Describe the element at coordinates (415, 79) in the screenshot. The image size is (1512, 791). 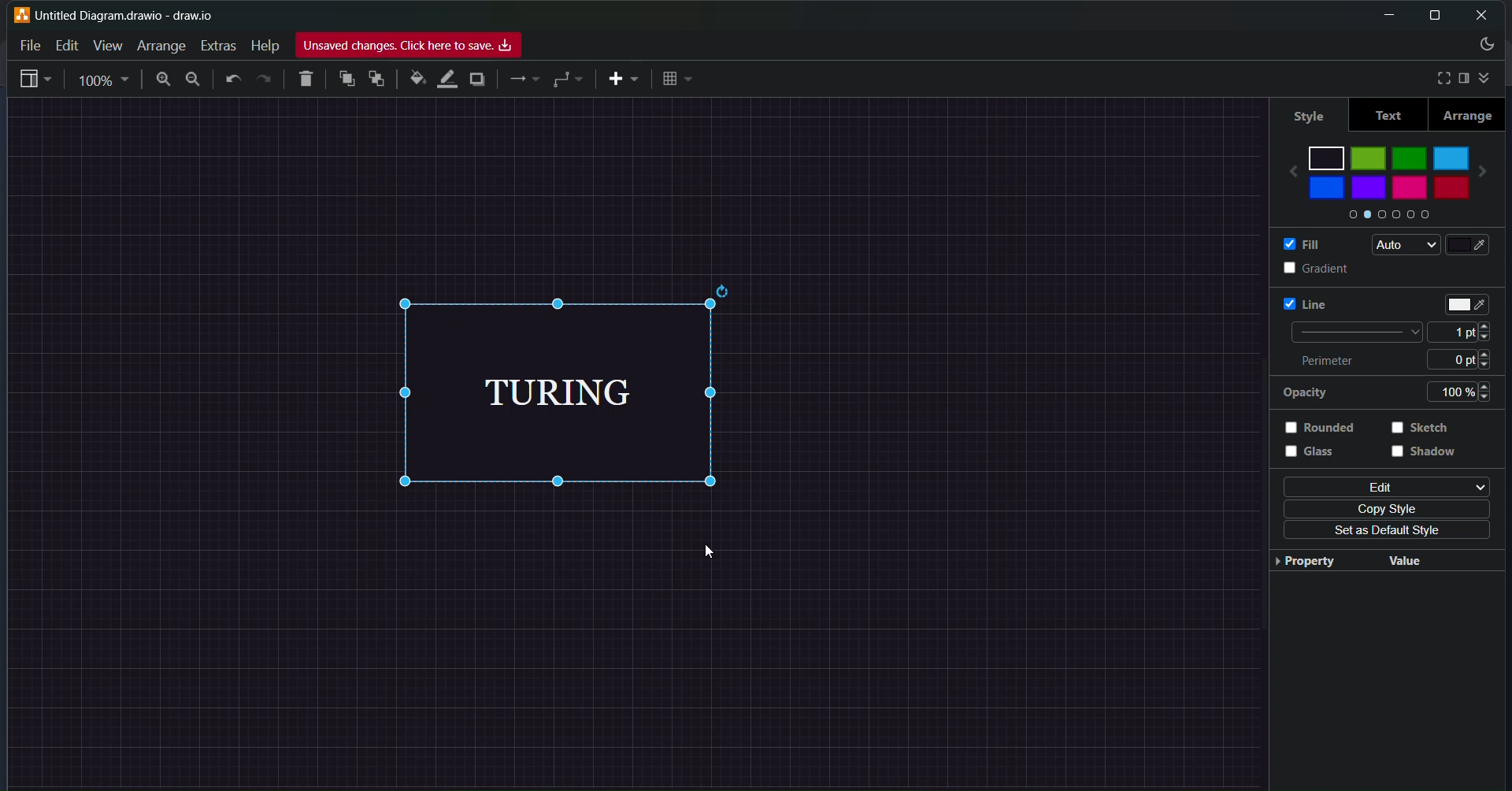
I see `fill color` at that location.